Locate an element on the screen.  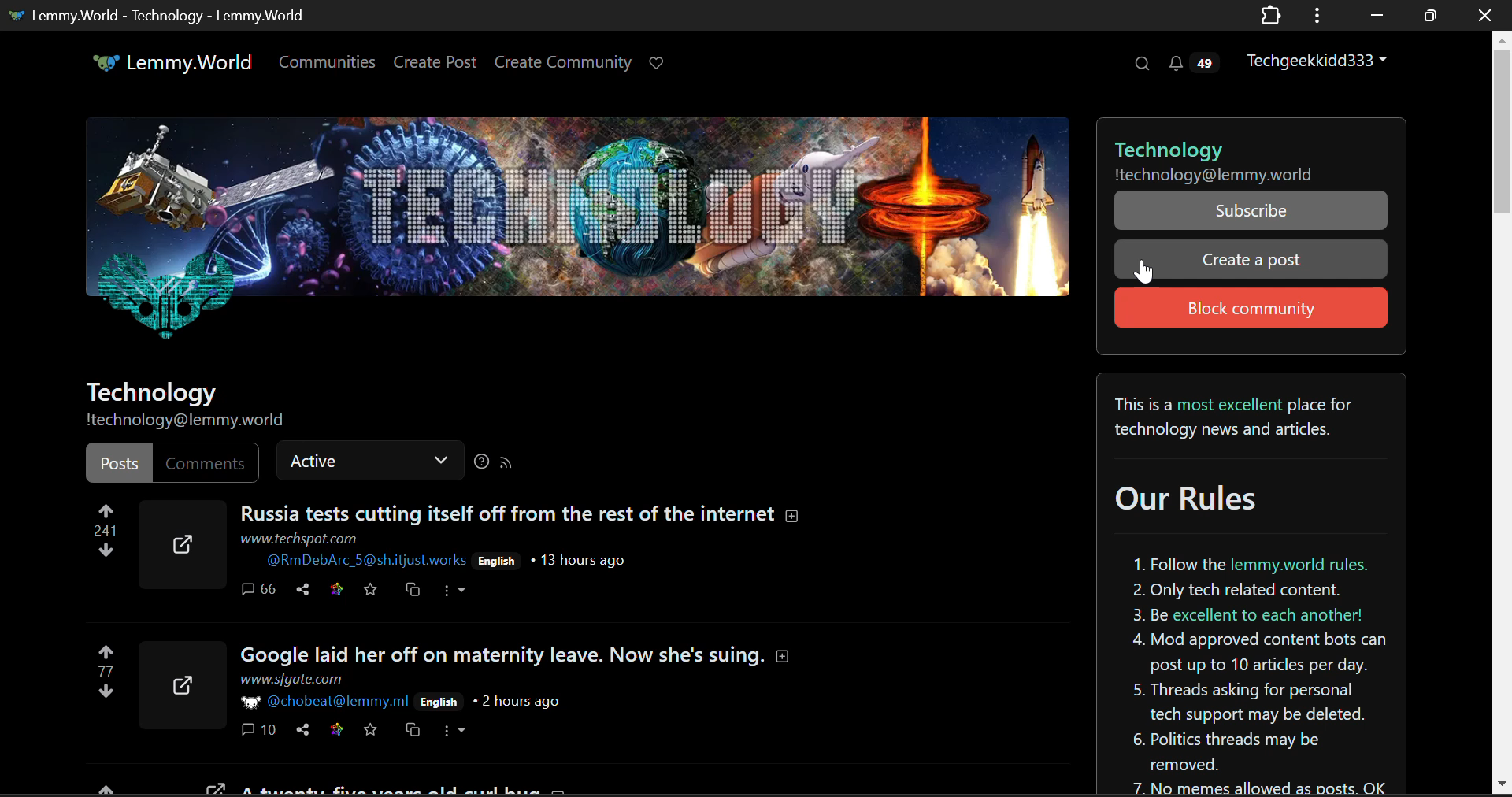
Comments is located at coordinates (258, 591).